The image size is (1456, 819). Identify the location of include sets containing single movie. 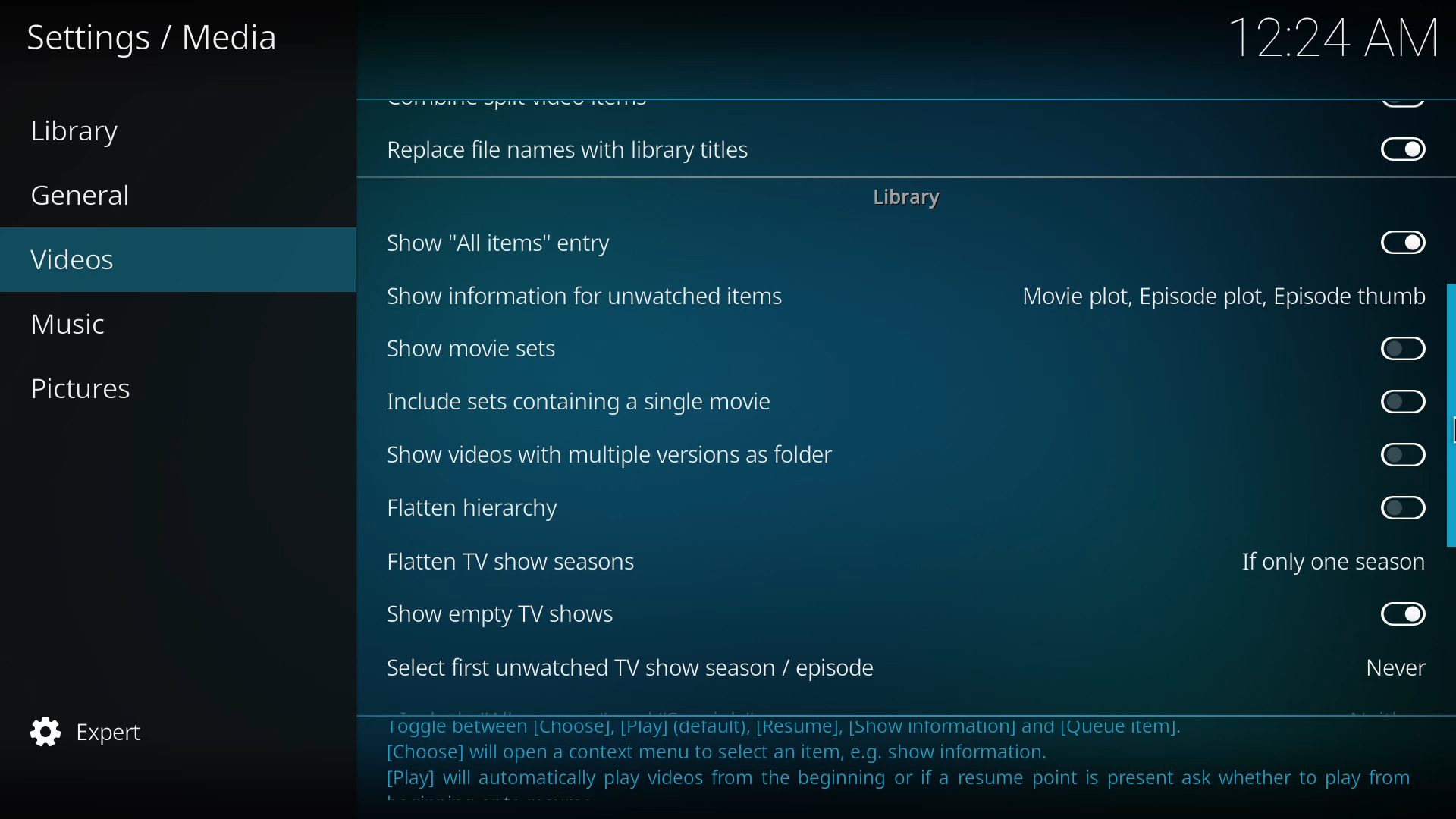
(570, 403).